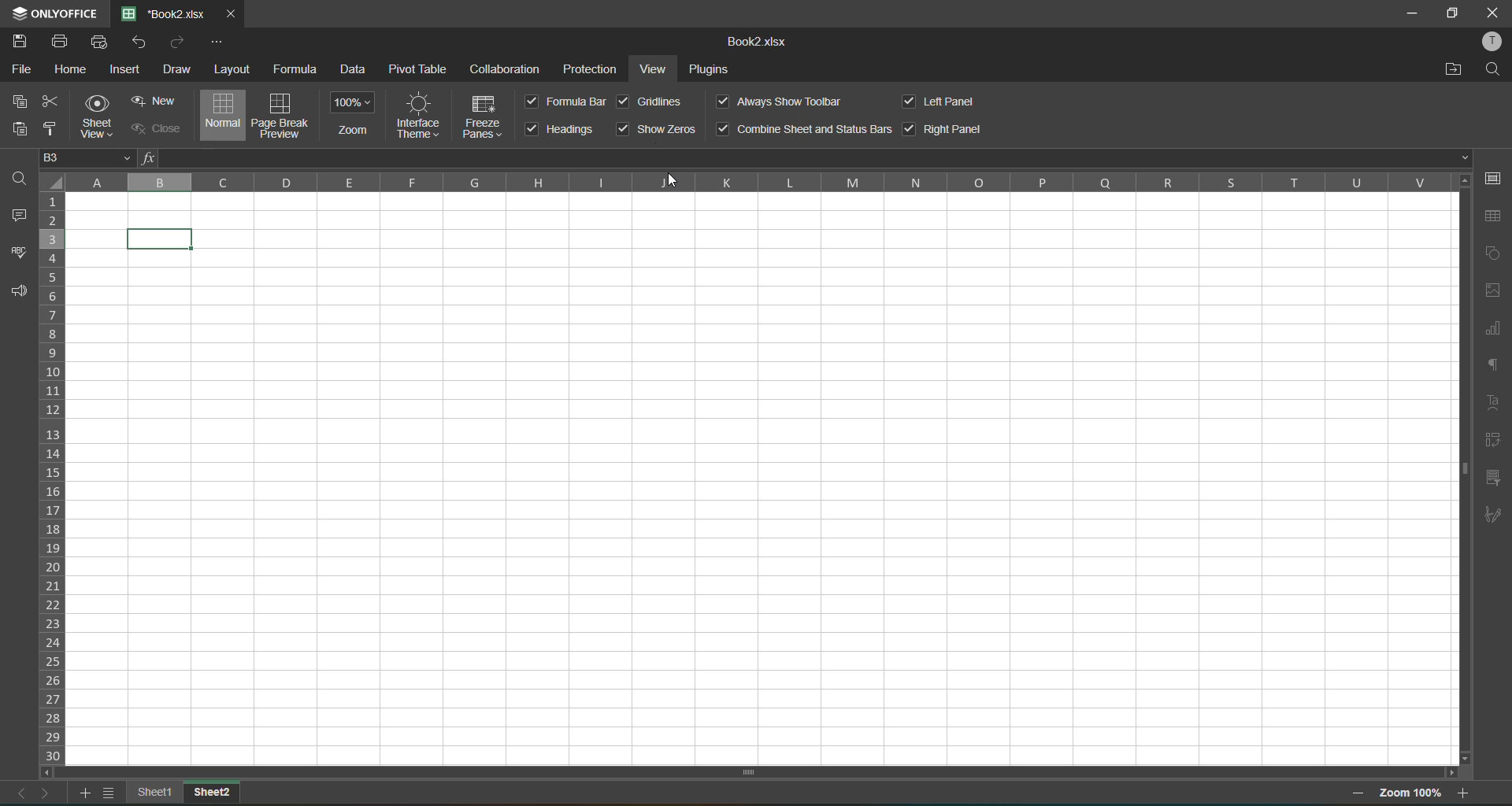 This screenshot has height=806, width=1512. What do you see at coordinates (417, 70) in the screenshot?
I see `pivot table` at bounding box center [417, 70].